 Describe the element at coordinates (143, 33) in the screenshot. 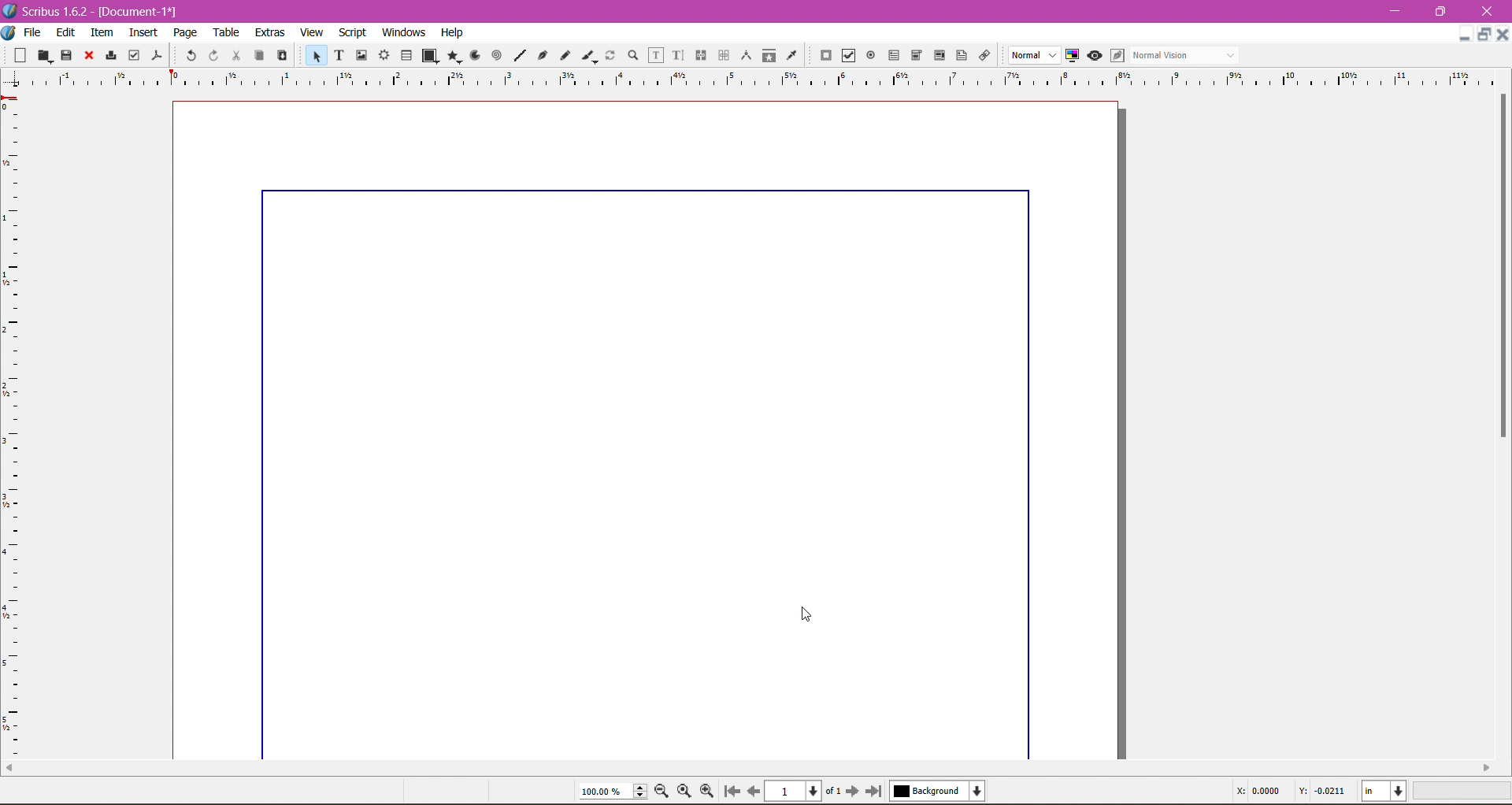

I see `Insert` at that location.